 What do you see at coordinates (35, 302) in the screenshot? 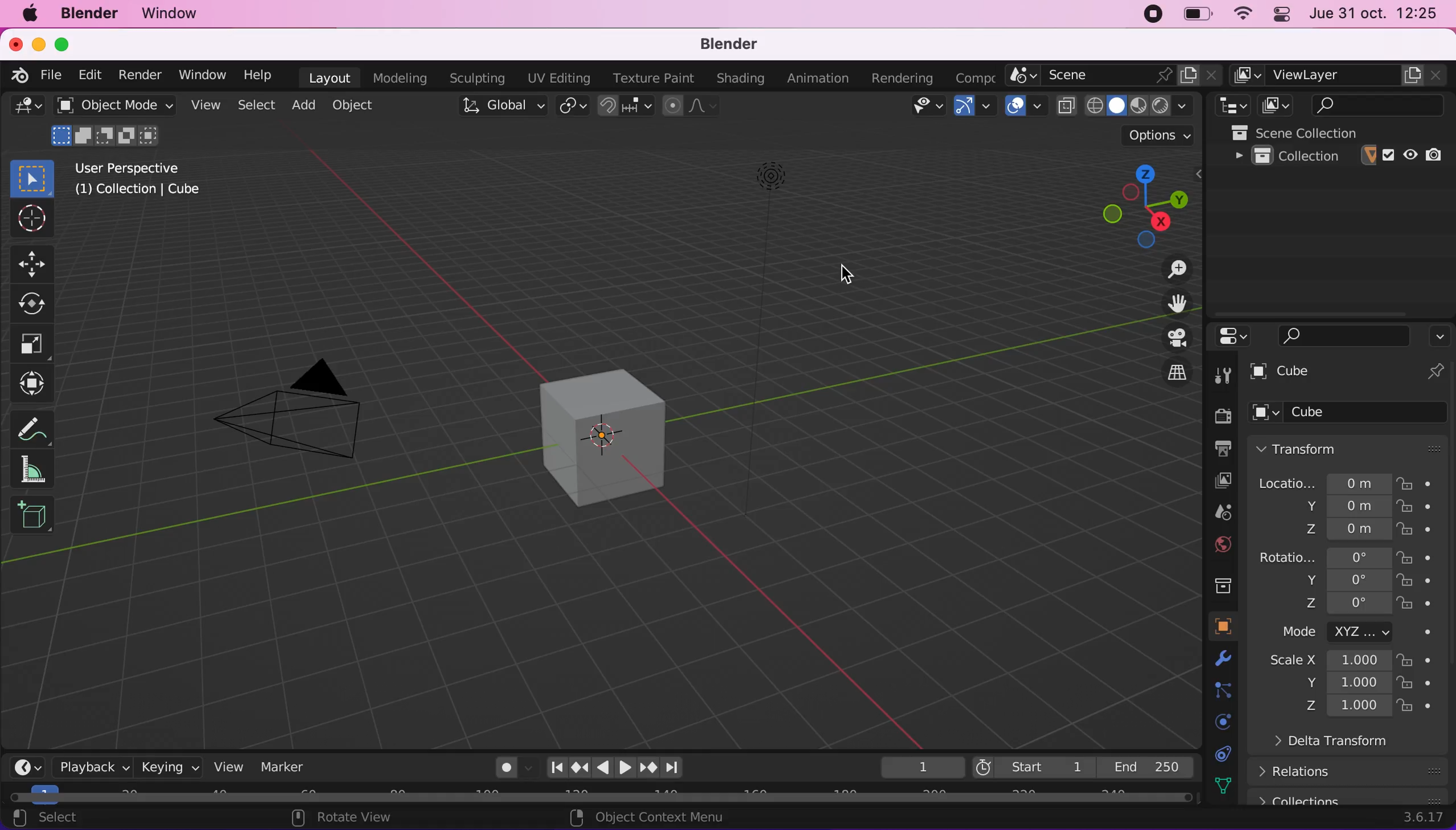
I see `rotate` at bounding box center [35, 302].